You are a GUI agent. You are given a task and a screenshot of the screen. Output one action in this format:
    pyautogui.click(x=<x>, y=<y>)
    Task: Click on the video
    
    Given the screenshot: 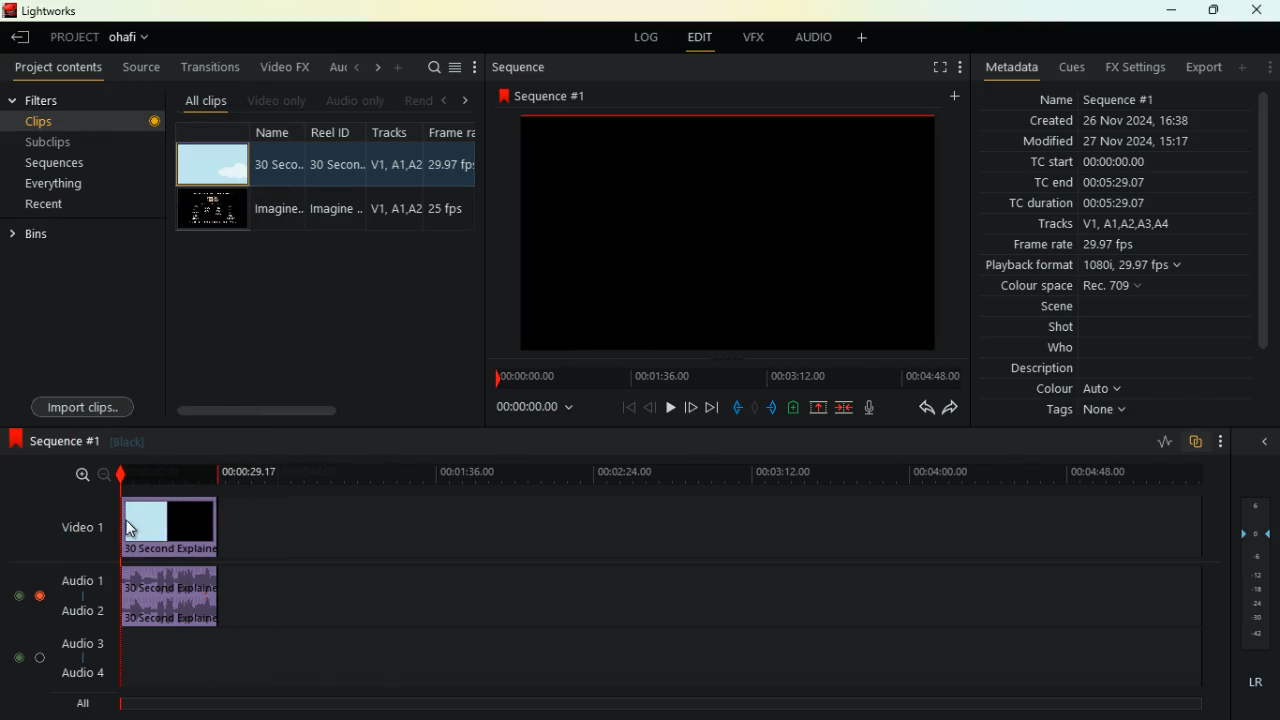 What is the action you would take?
    pyautogui.click(x=208, y=163)
    